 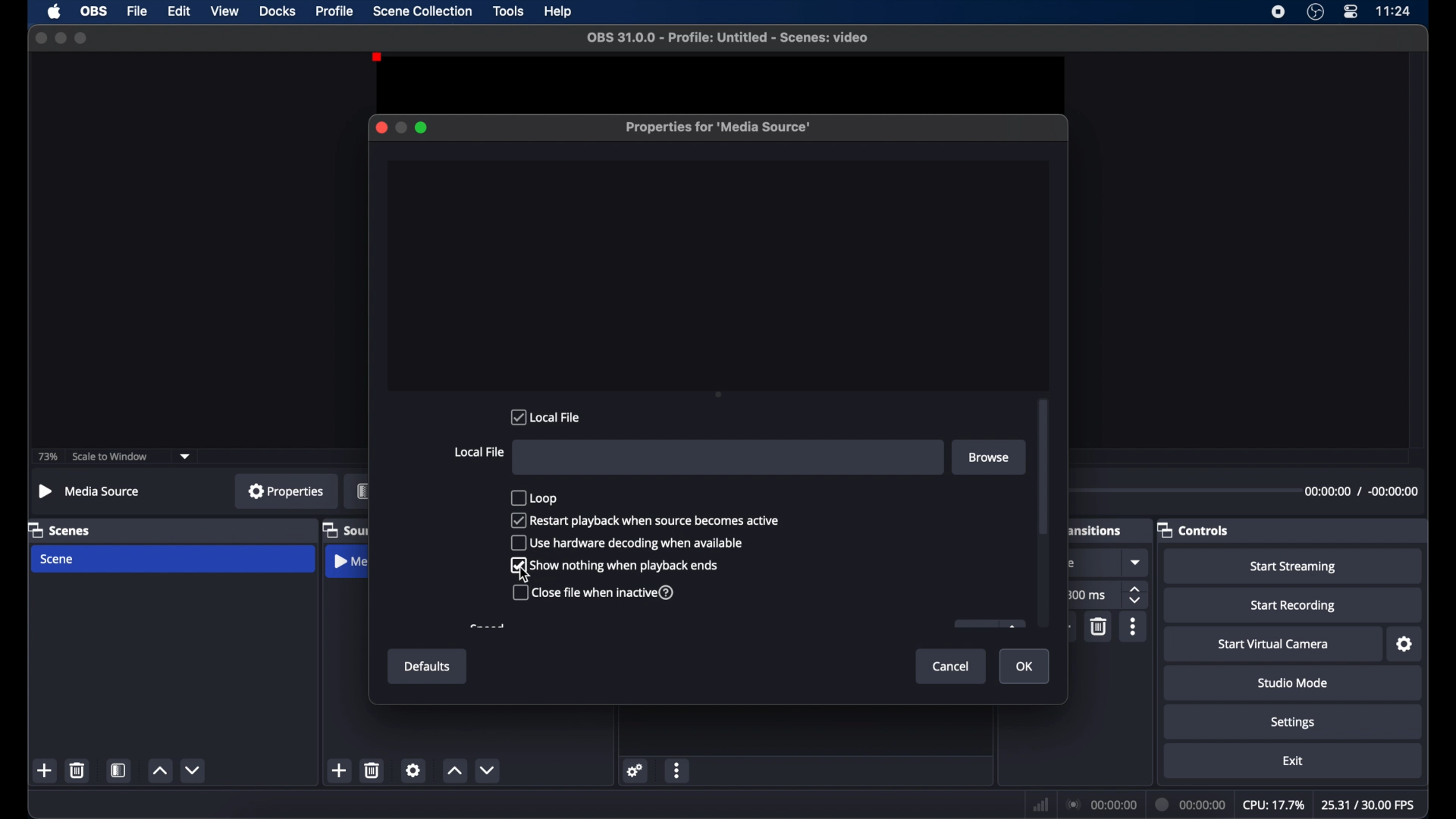 I want to click on scene collection, so click(x=422, y=11).